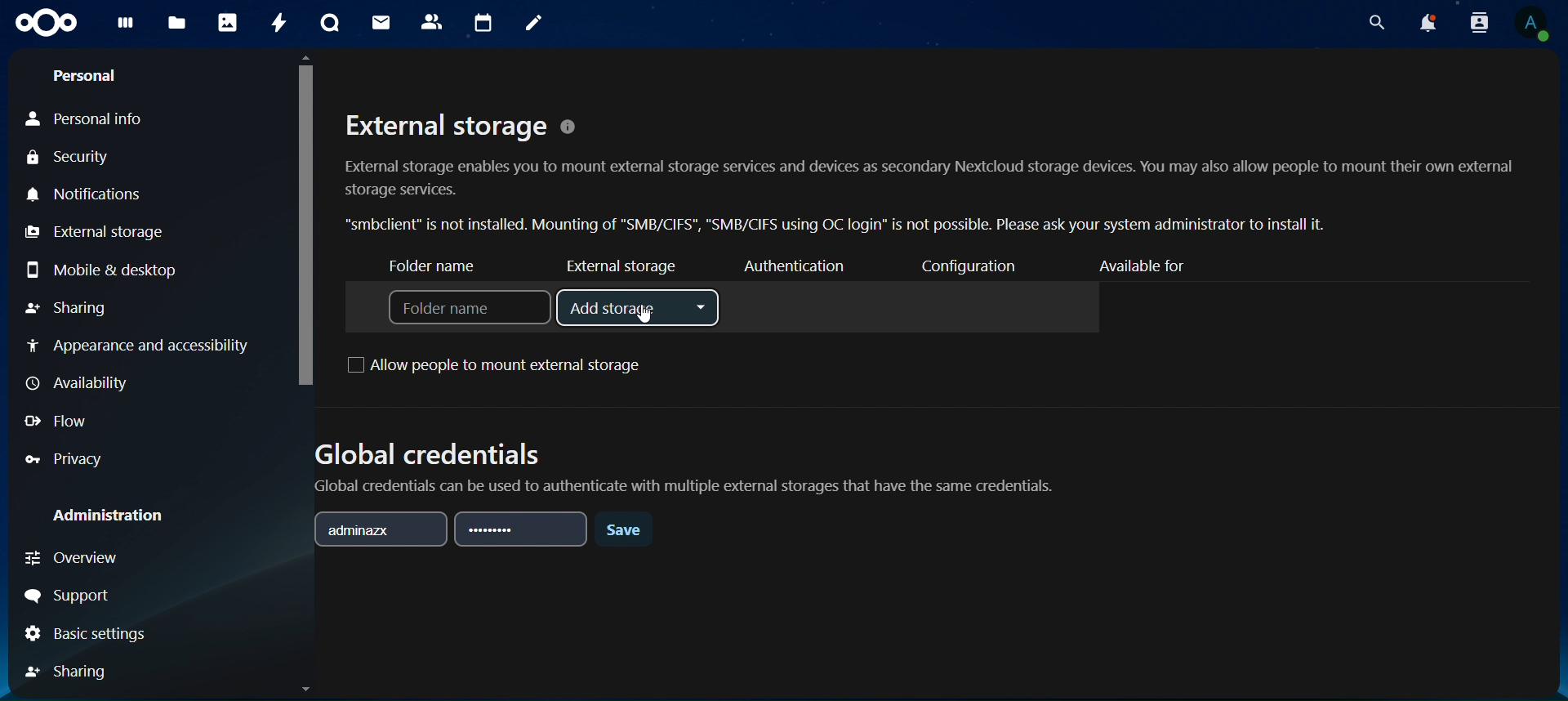 The width and height of the screenshot is (1568, 701). What do you see at coordinates (87, 73) in the screenshot?
I see `personal` at bounding box center [87, 73].